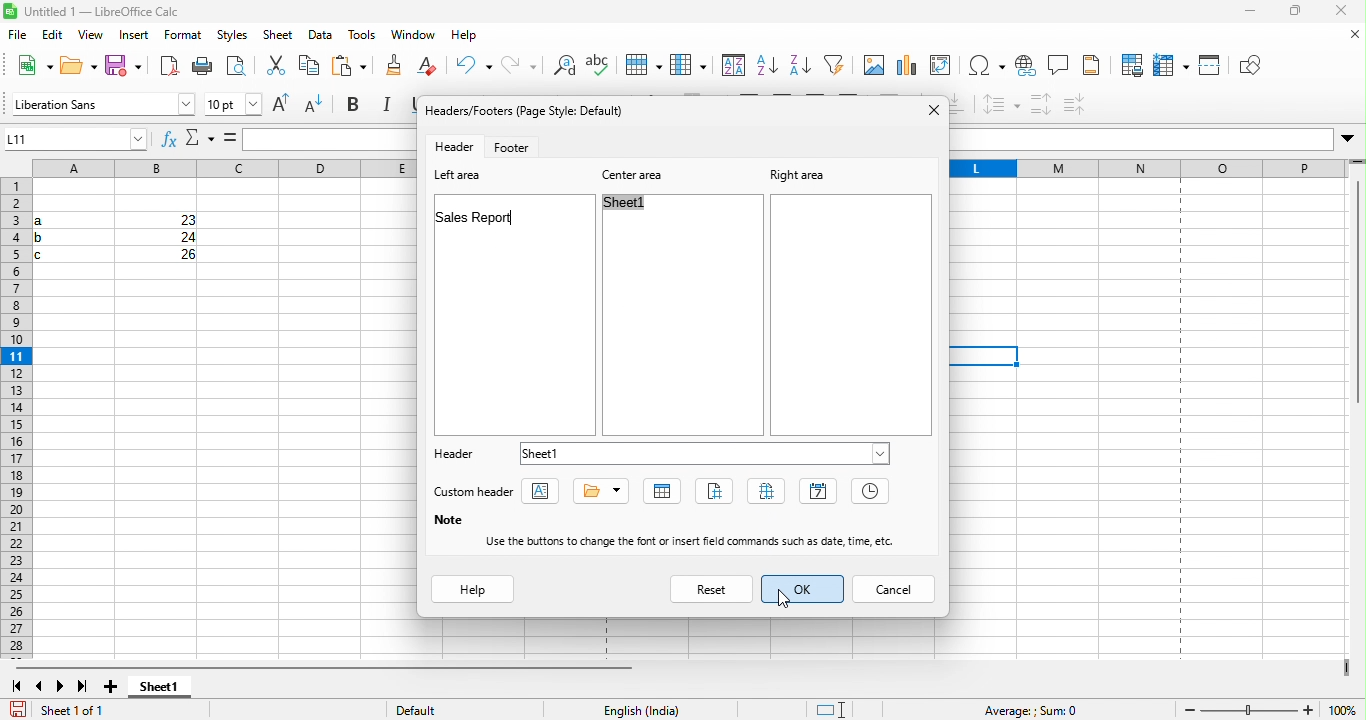 This screenshot has width=1366, height=720. Describe the element at coordinates (730, 66) in the screenshot. I see `sort ascending` at that location.